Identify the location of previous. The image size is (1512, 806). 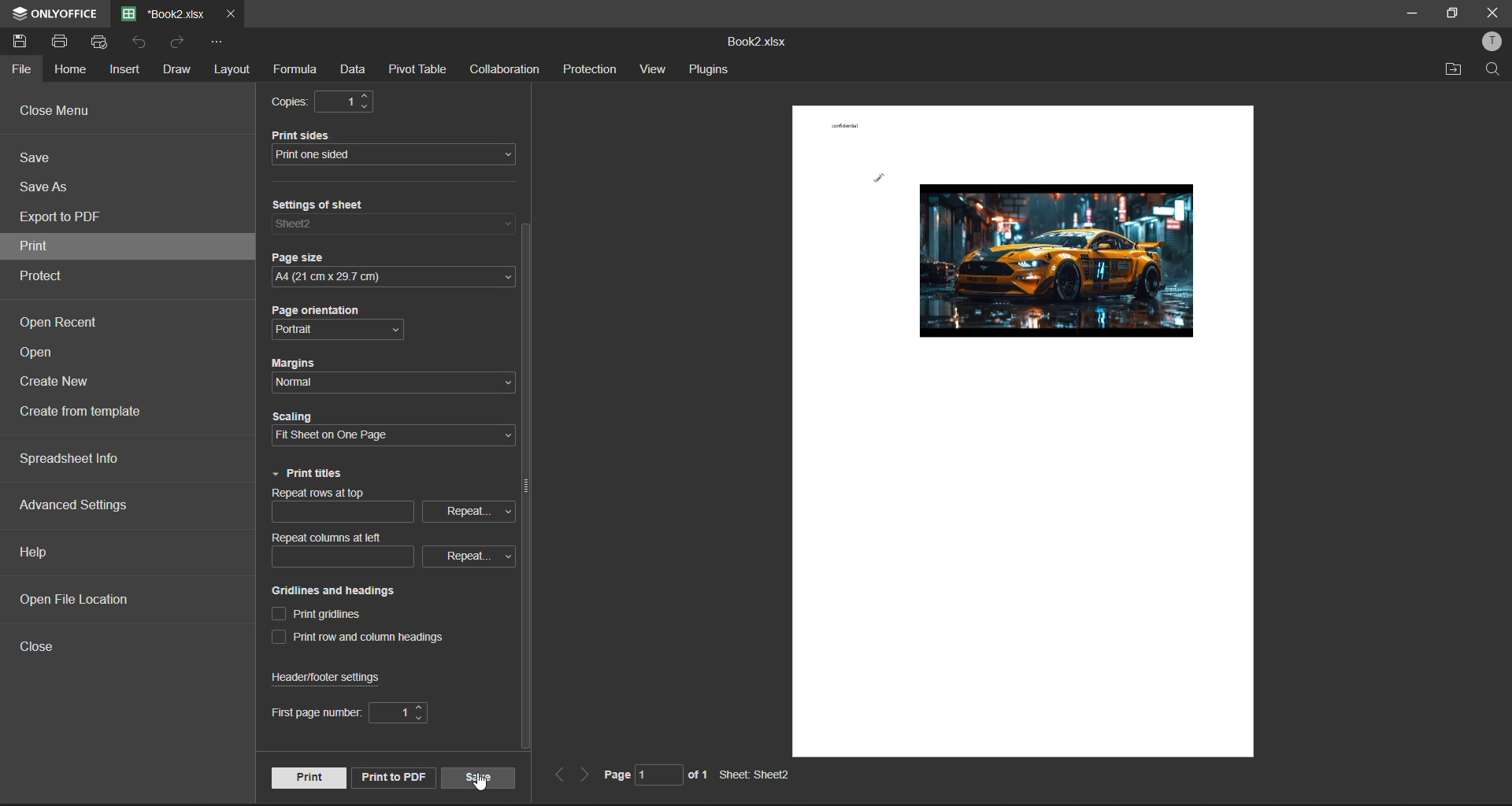
(559, 775).